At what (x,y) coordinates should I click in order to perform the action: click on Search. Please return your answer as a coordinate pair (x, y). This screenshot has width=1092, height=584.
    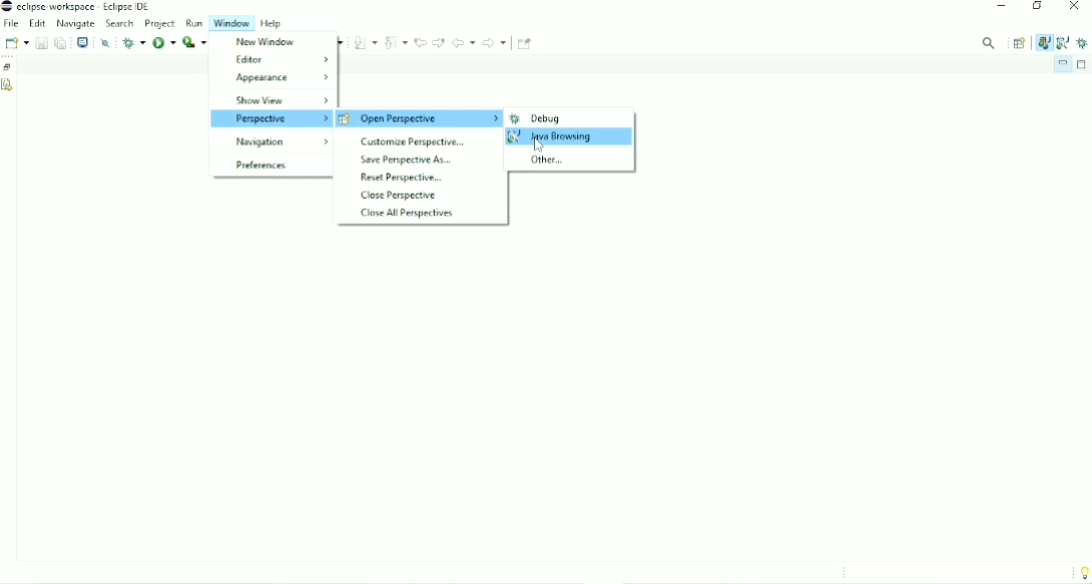
    Looking at the image, I should click on (120, 23).